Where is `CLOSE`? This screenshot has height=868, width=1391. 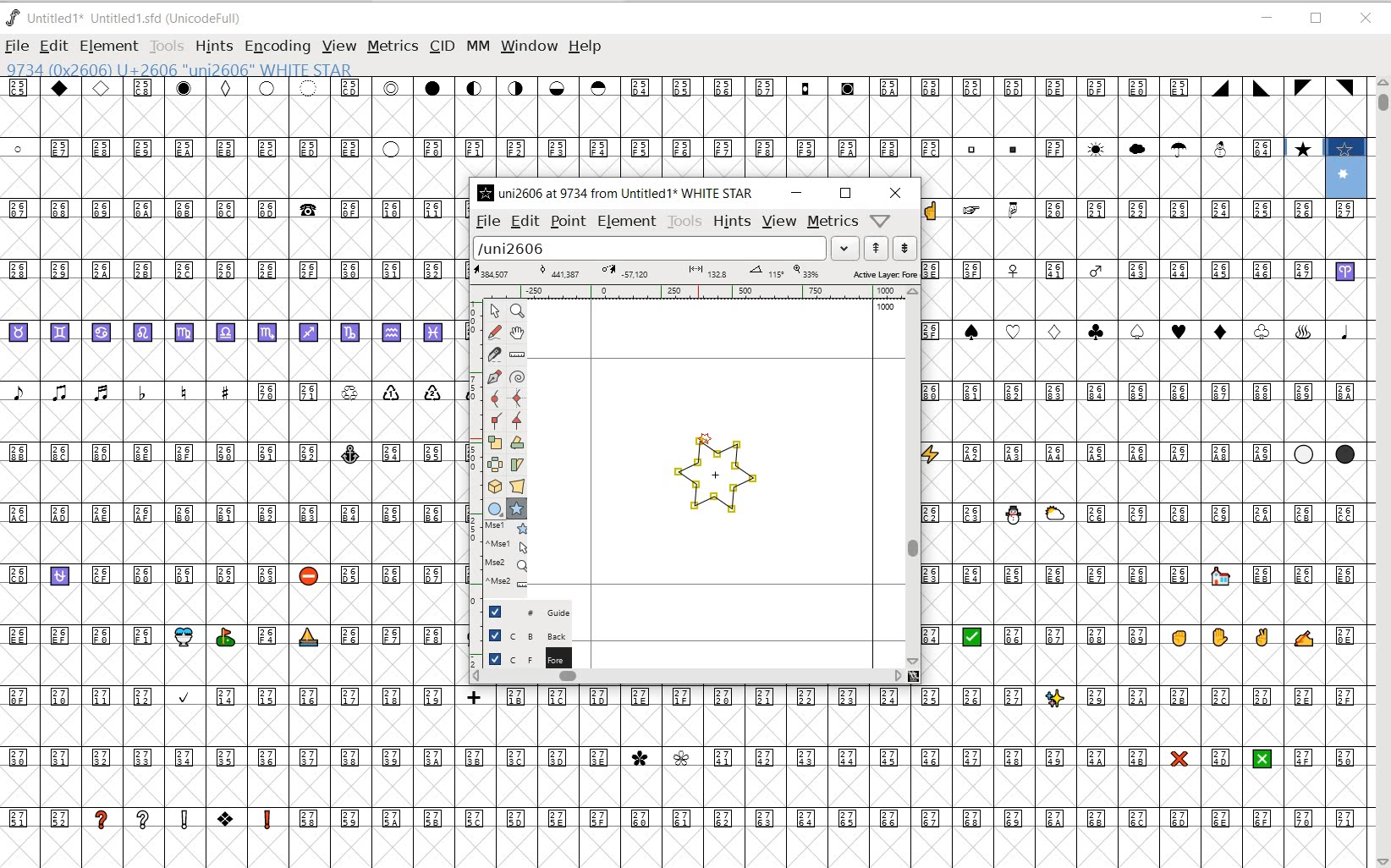
CLOSE is located at coordinates (1366, 19).